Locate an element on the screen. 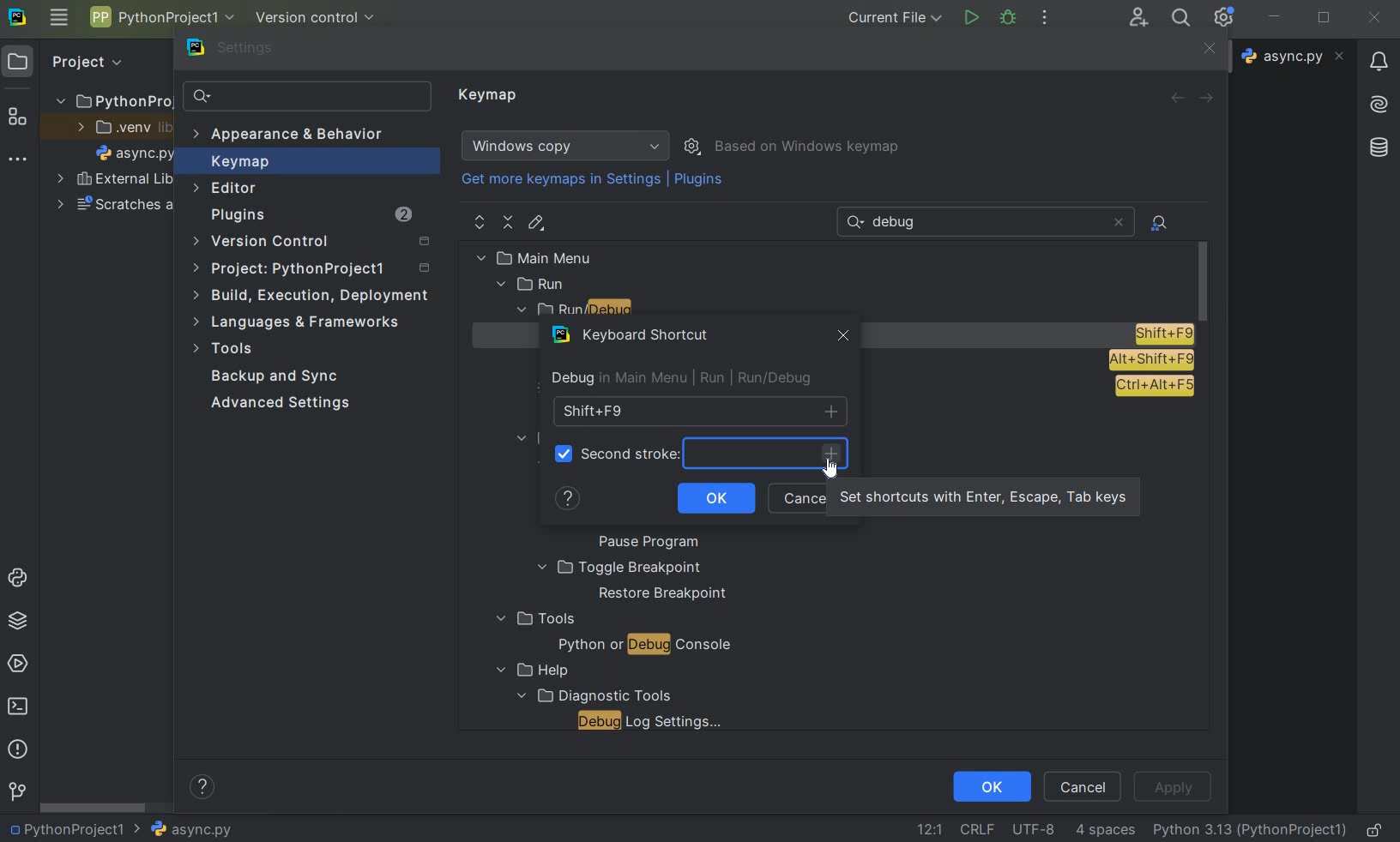 This screenshot has width=1400, height=842. main menu is located at coordinates (58, 17).